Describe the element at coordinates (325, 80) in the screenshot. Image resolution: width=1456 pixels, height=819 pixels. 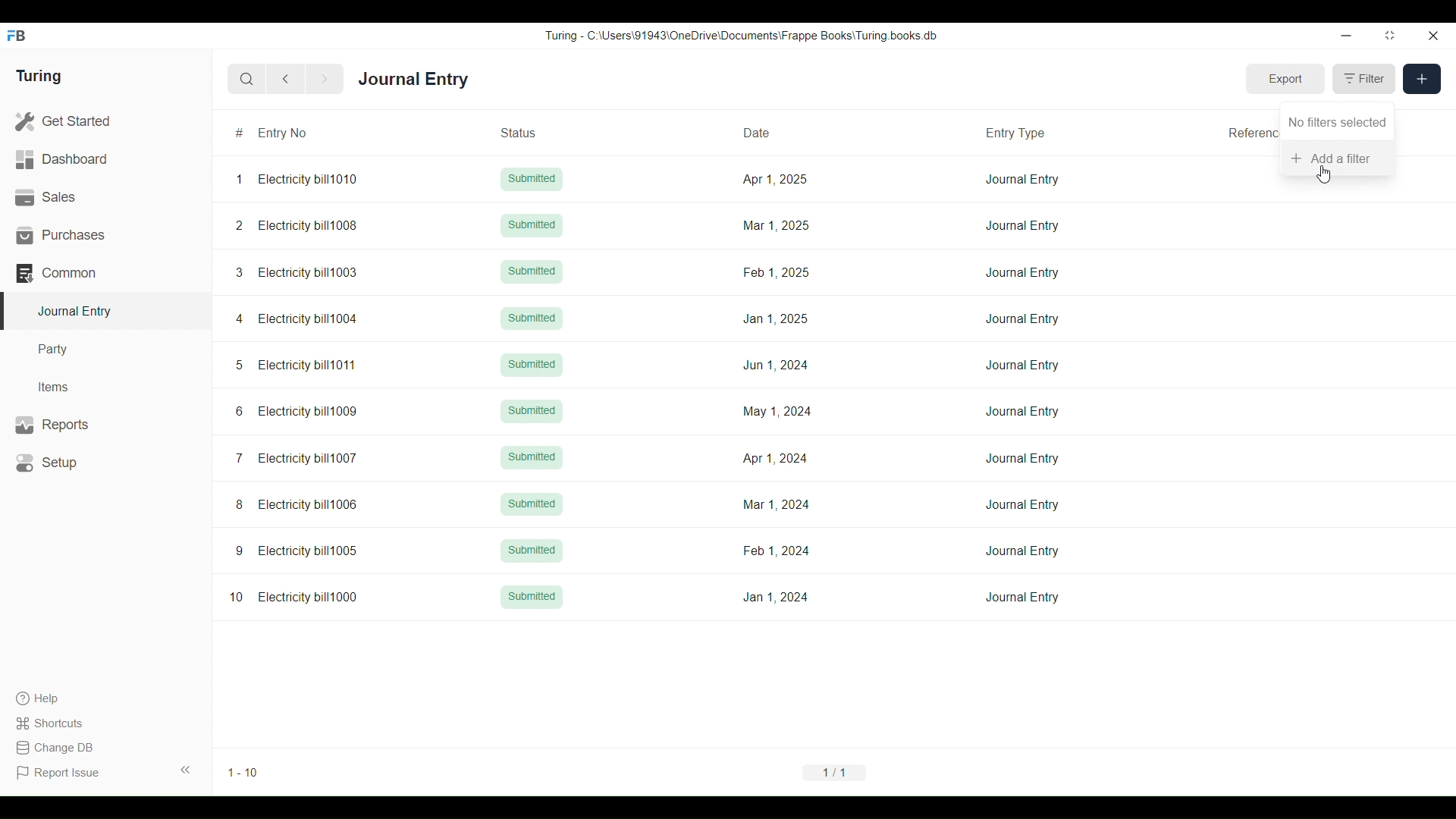
I see `Next` at that location.